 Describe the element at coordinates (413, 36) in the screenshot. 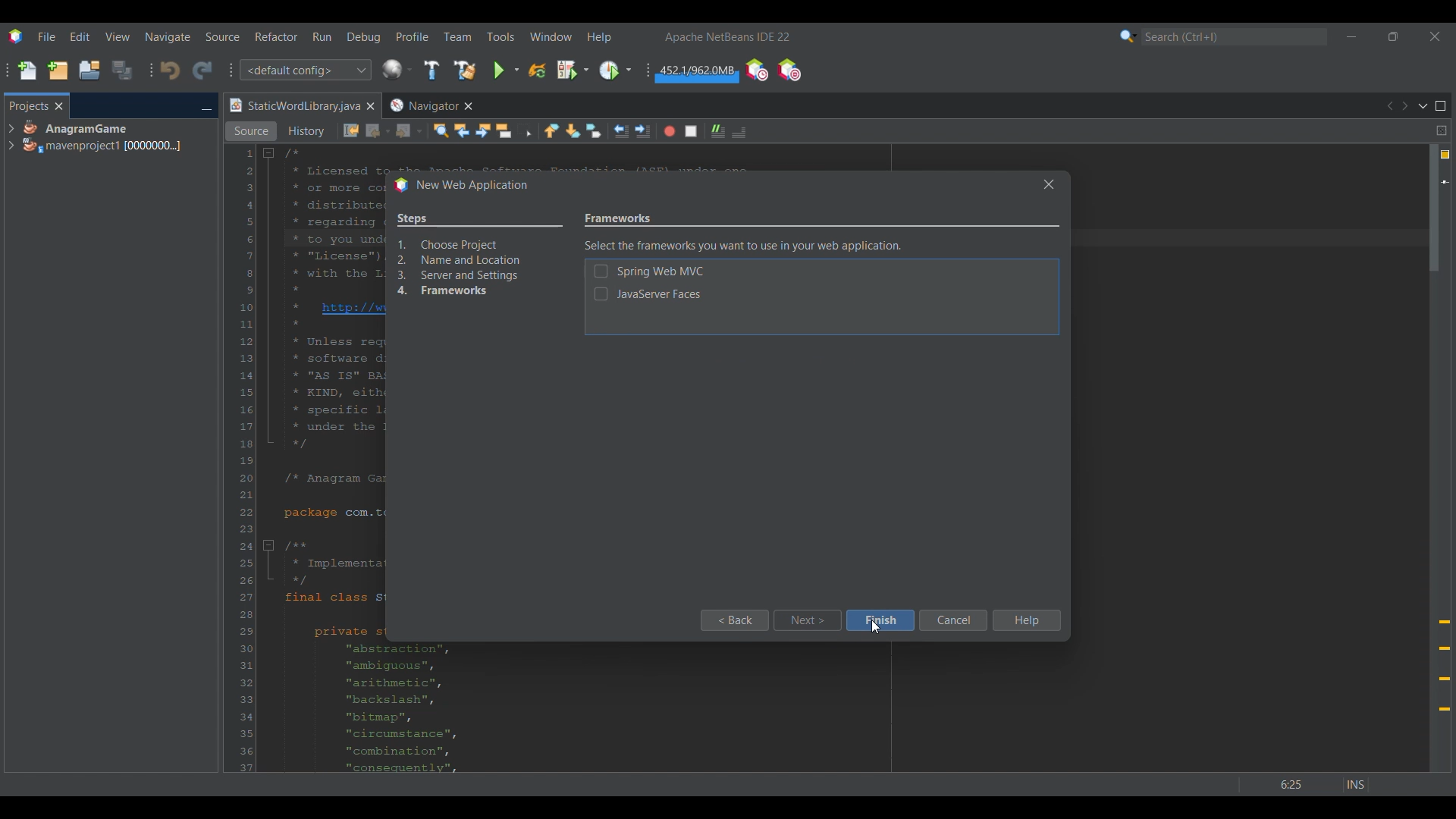

I see `Profile menu` at that location.